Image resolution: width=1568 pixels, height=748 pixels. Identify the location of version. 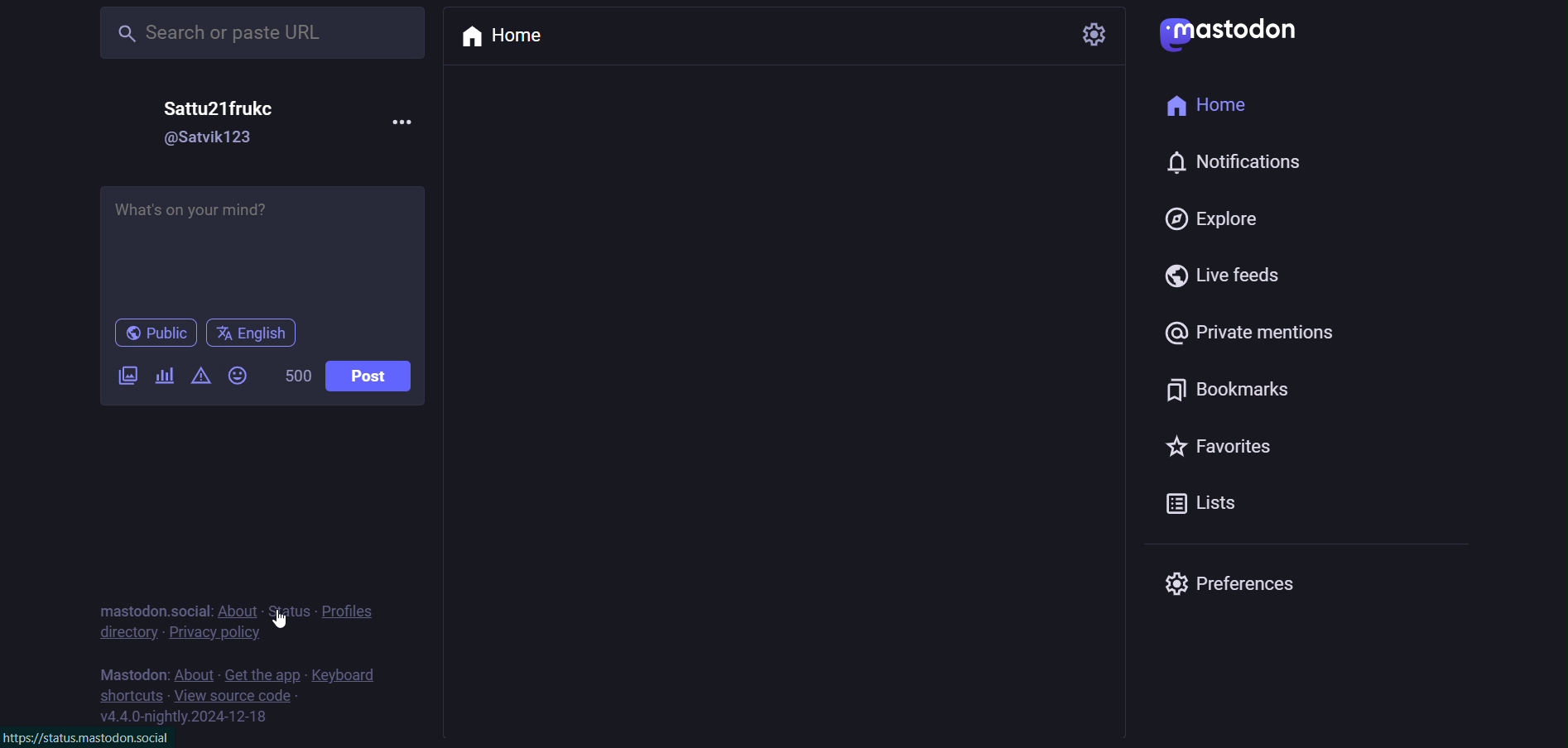
(187, 717).